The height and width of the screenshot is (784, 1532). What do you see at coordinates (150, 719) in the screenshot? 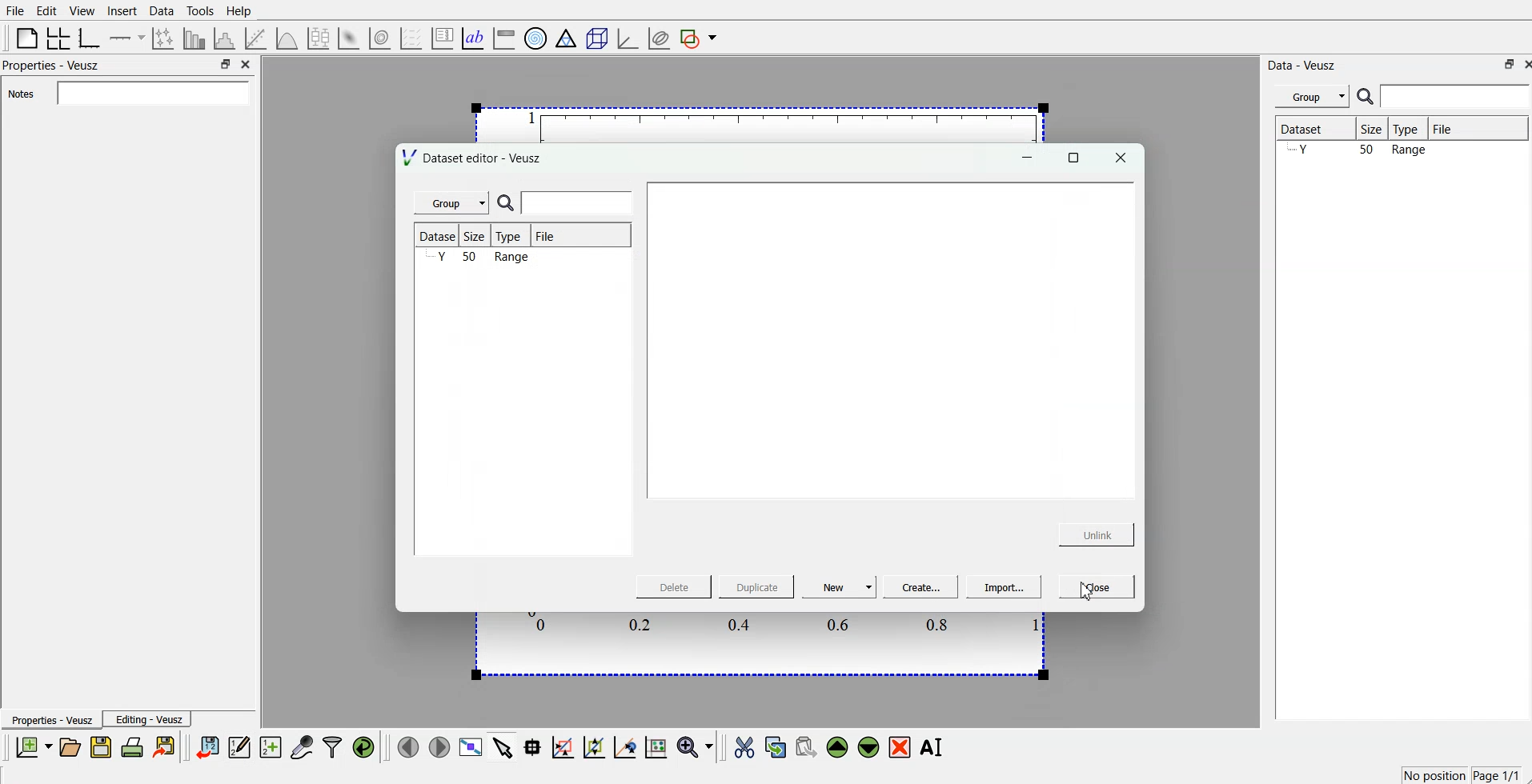
I see `Editing - Veusz` at bounding box center [150, 719].